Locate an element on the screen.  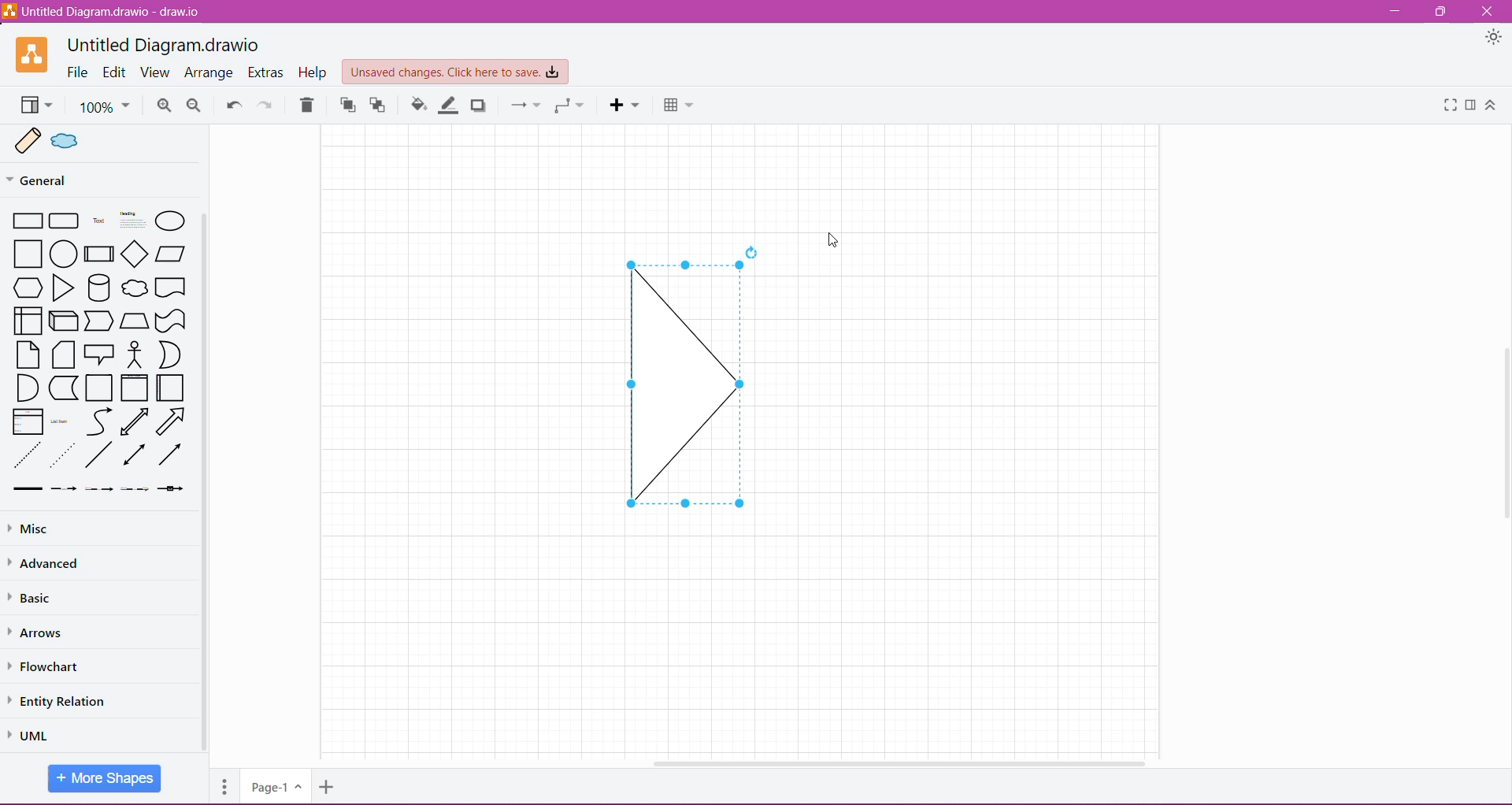
Arrows is located at coordinates (43, 633).